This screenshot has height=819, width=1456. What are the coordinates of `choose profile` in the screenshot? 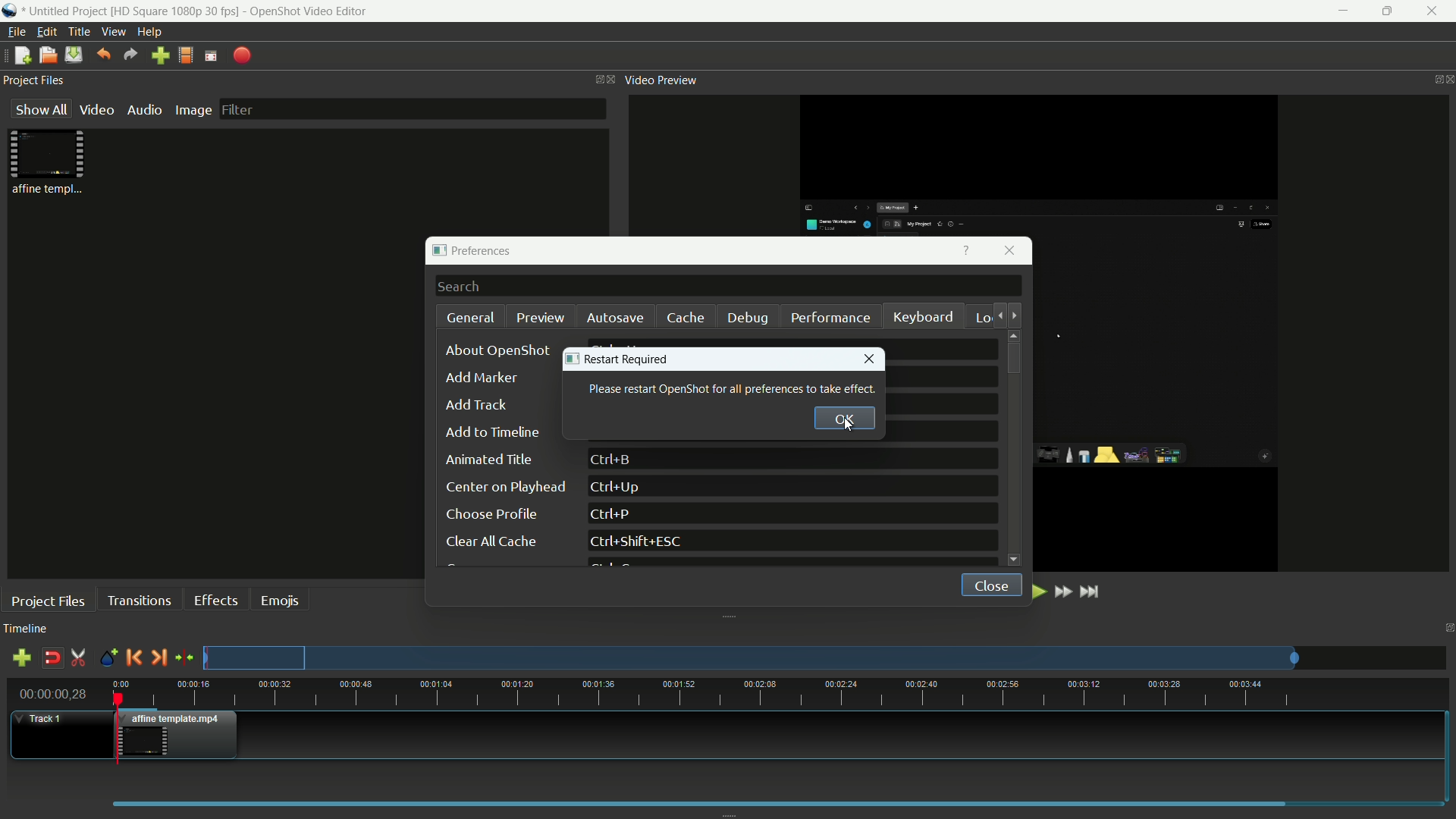 It's located at (491, 514).